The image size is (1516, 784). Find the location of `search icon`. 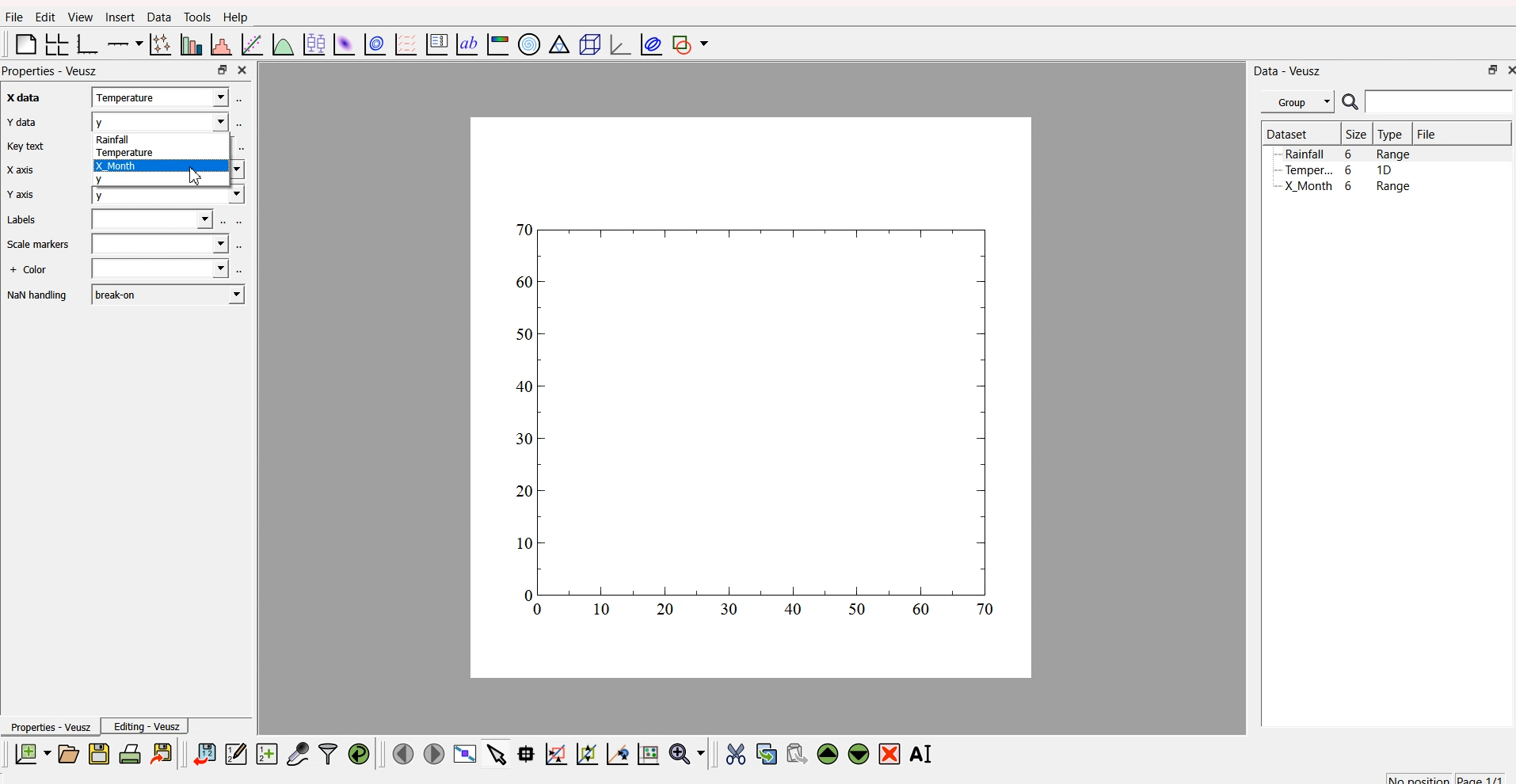

search icon is located at coordinates (1350, 102).